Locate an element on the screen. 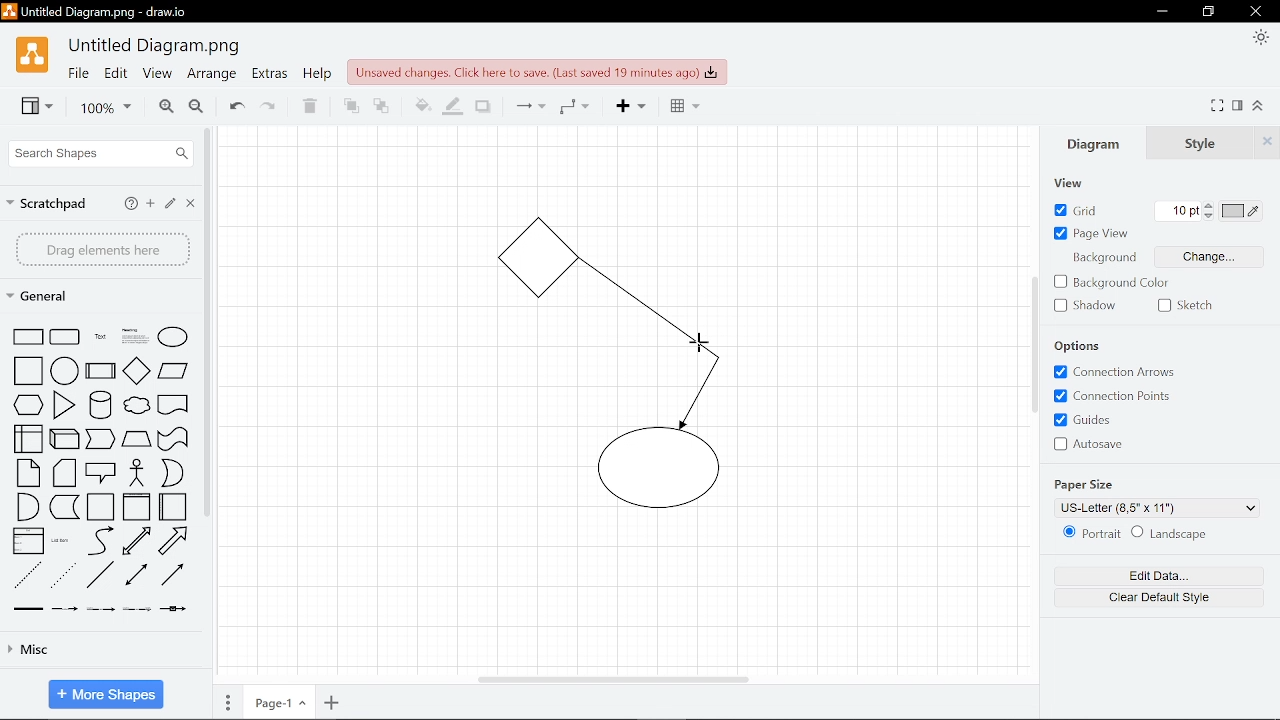  shape is located at coordinates (28, 473).